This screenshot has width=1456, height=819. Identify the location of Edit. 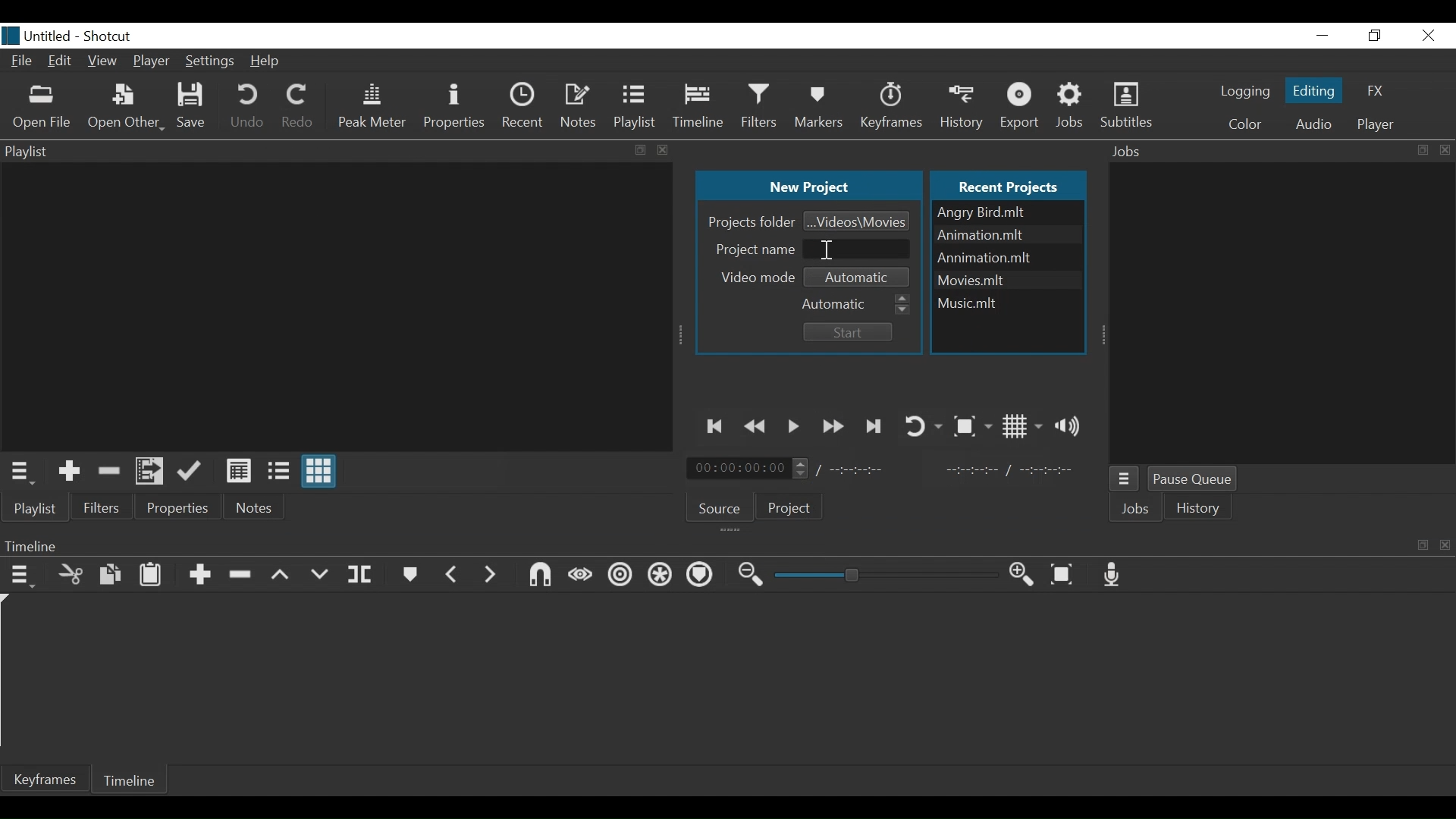
(61, 63).